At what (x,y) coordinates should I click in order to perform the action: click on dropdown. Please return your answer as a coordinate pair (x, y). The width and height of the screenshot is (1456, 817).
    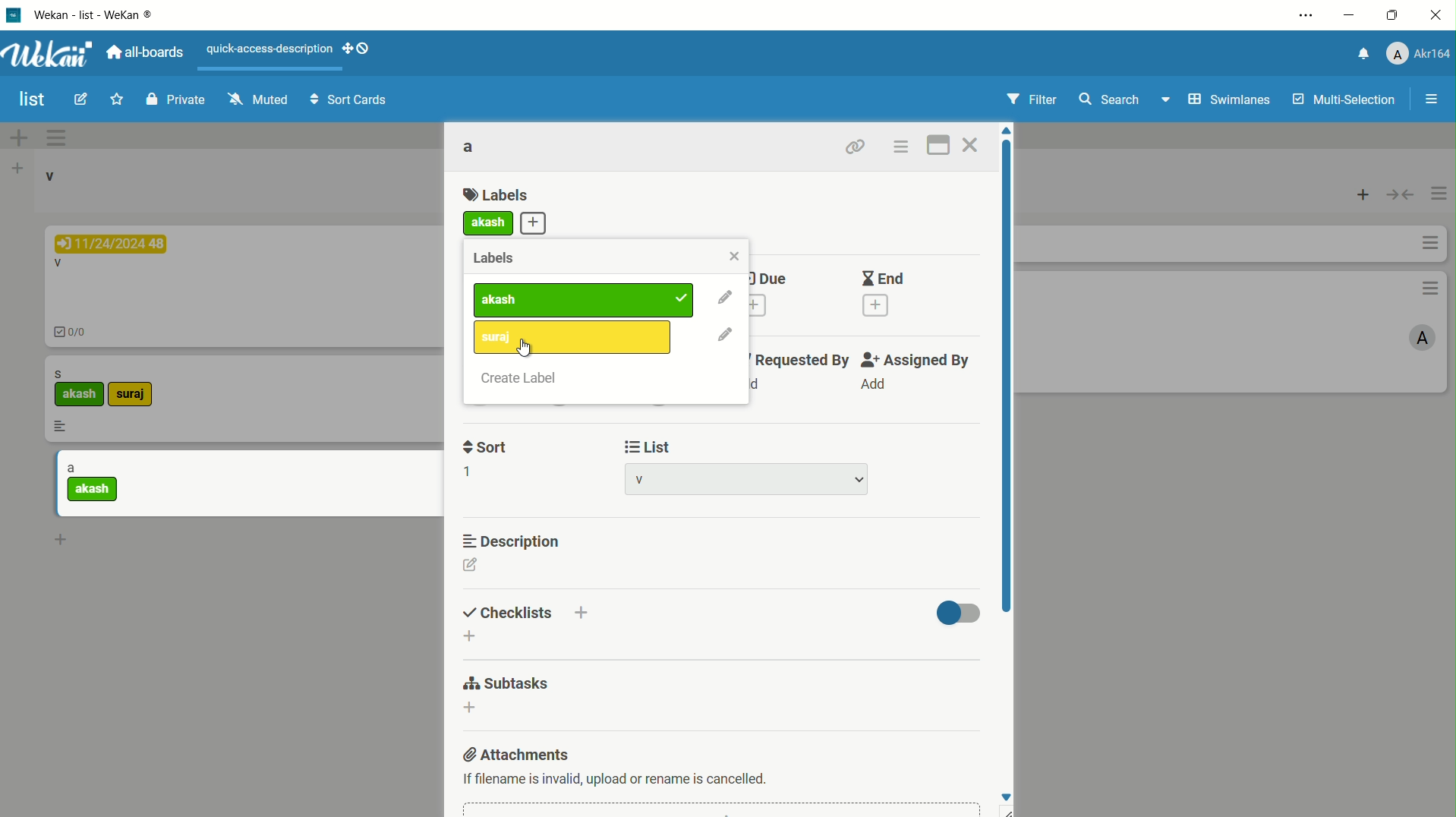
    Looking at the image, I should click on (859, 480).